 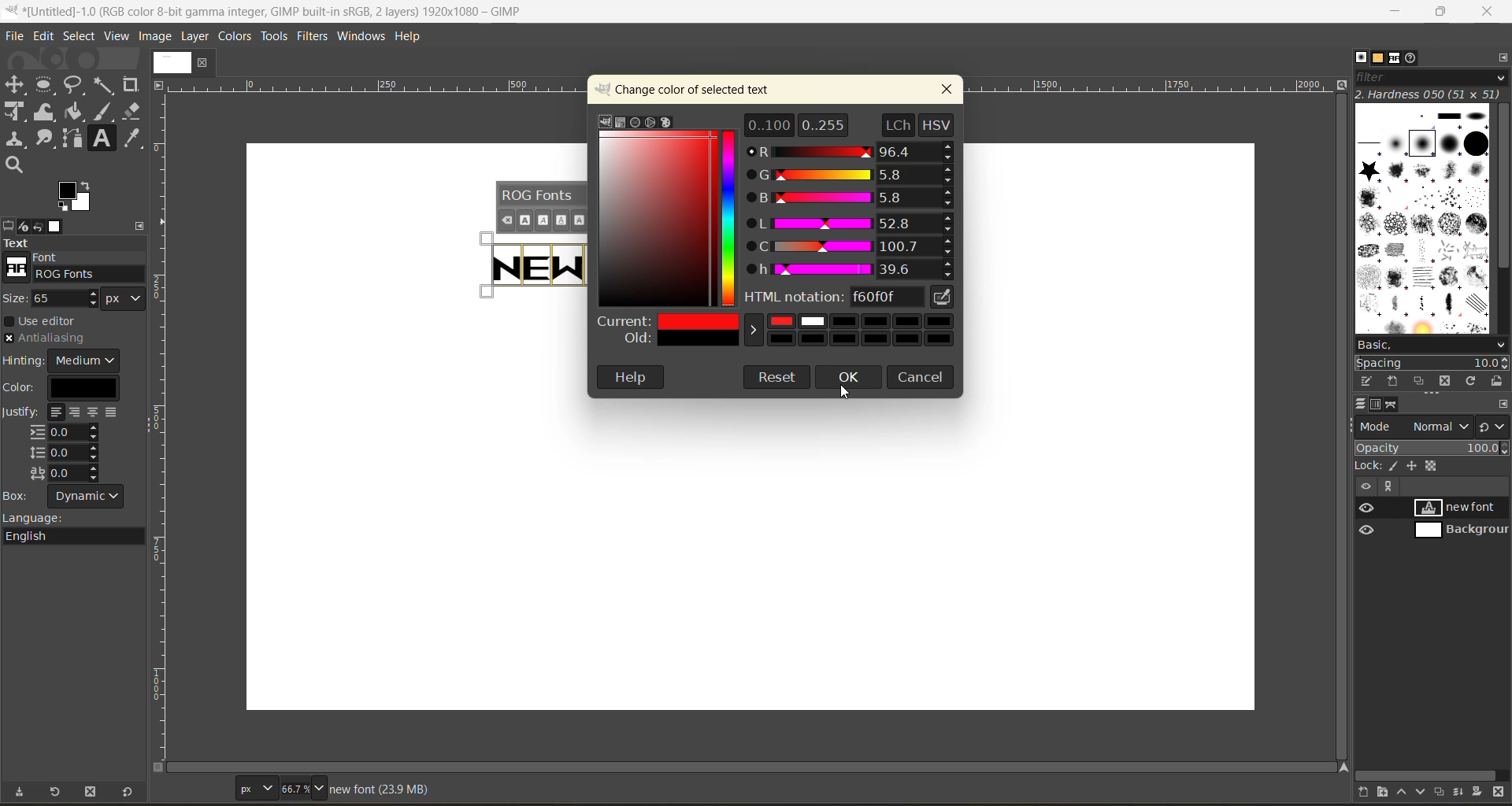 I want to click on view, so click(x=114, y=35).